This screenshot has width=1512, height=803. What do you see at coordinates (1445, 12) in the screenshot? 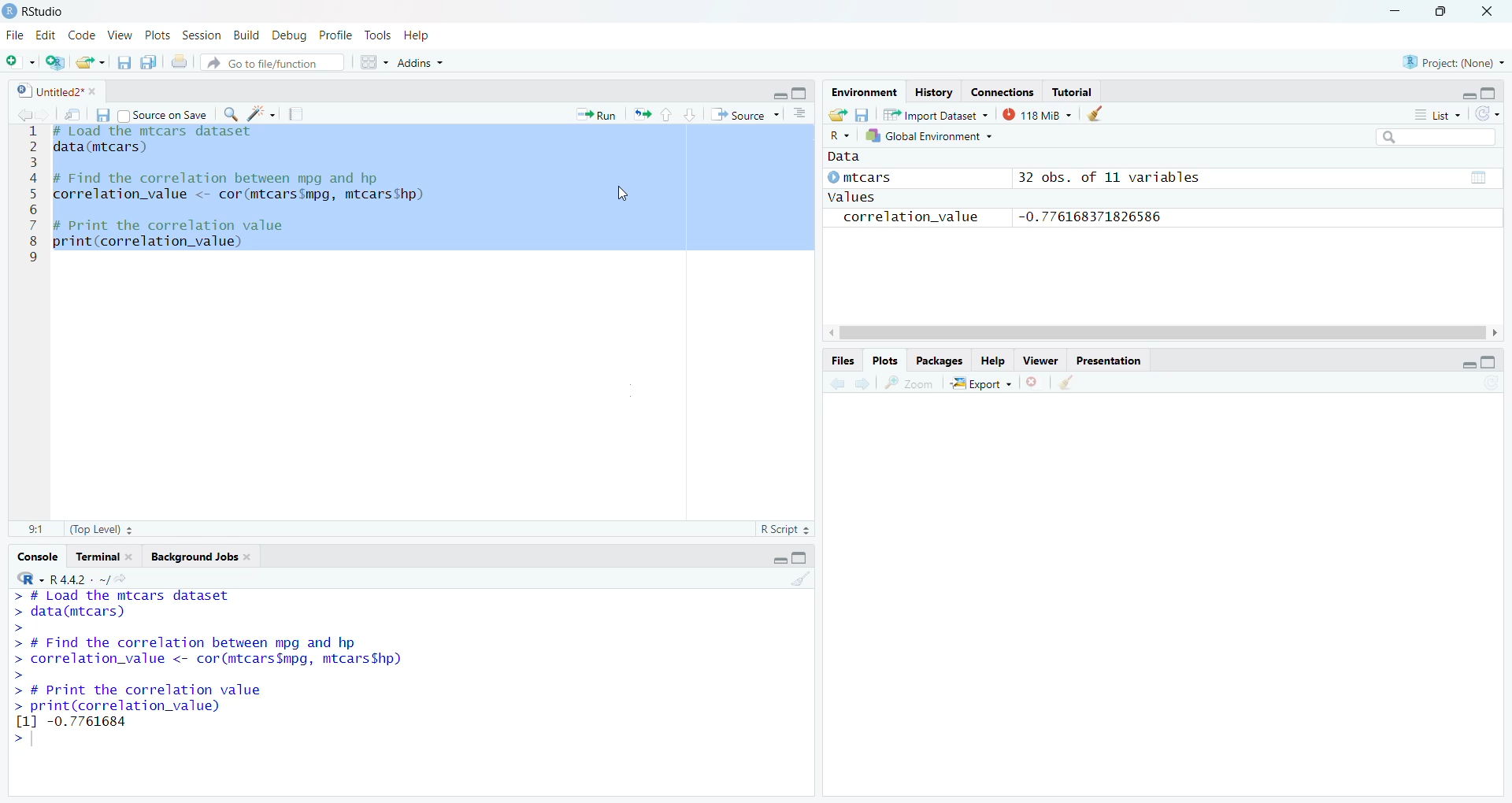
I see `Maximize/Restore` at bounding box center [1445, 12].